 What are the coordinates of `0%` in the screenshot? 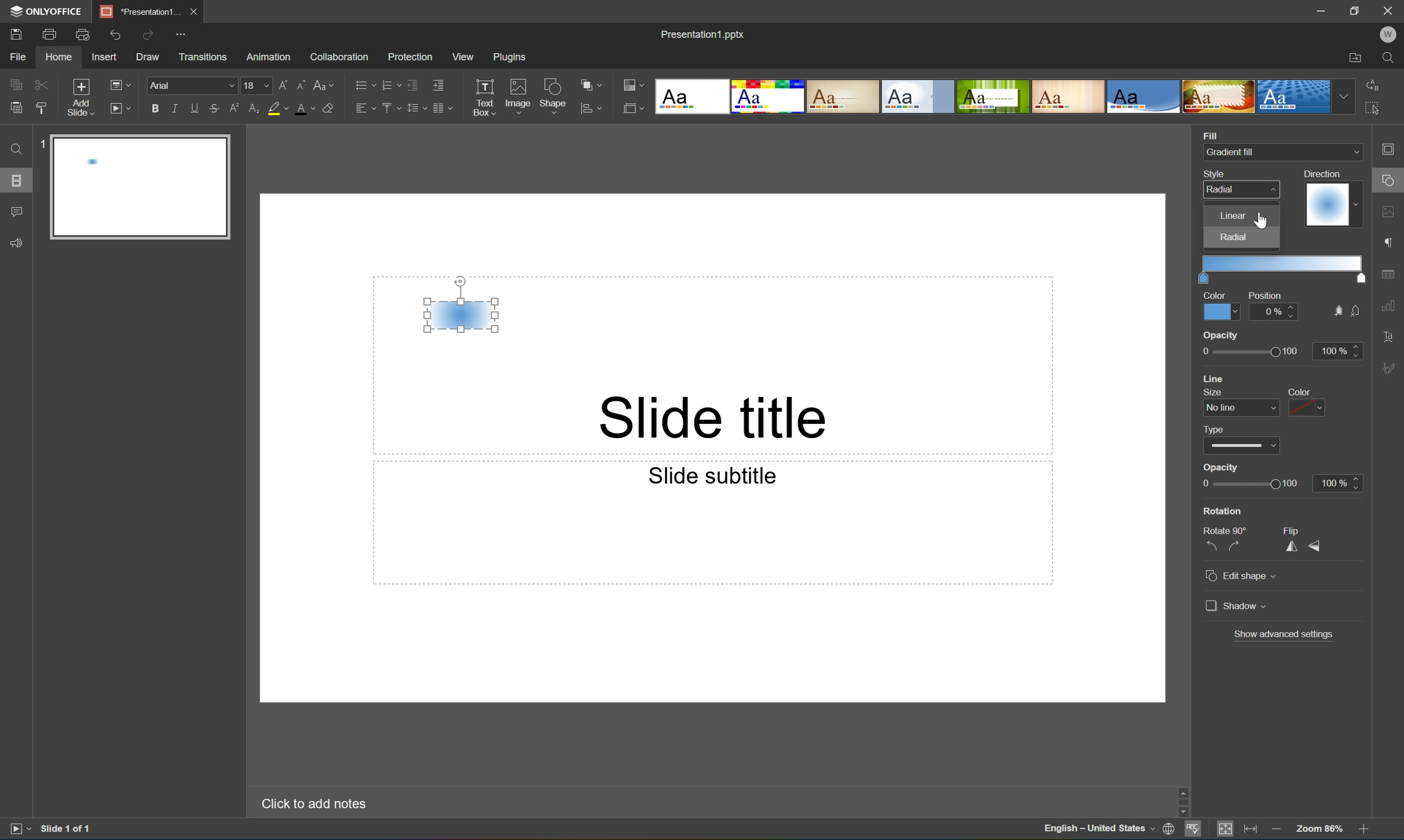 It's located at (1275, 311).